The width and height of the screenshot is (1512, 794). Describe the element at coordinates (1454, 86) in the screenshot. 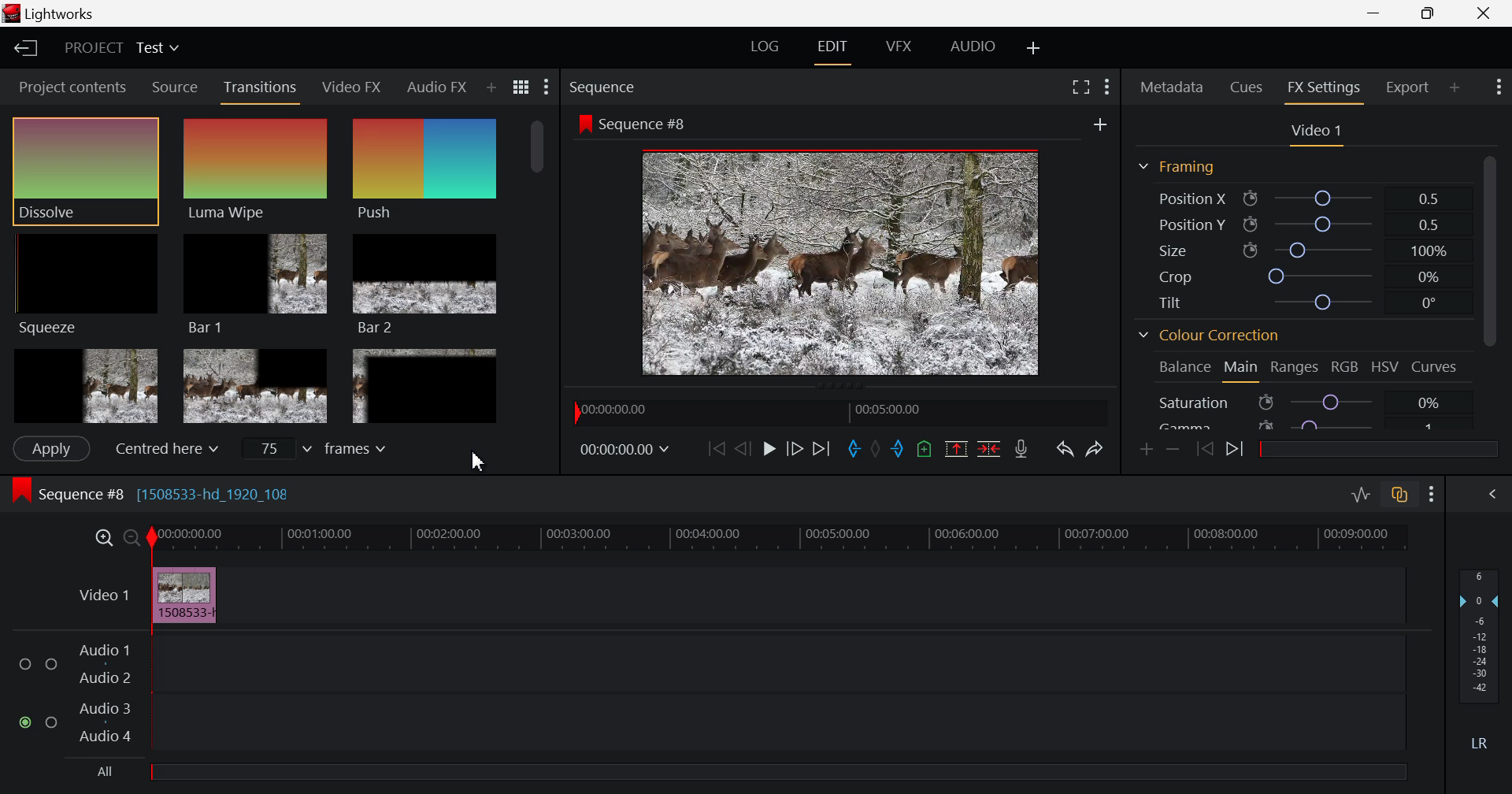

I see `Add Panel` at that location.